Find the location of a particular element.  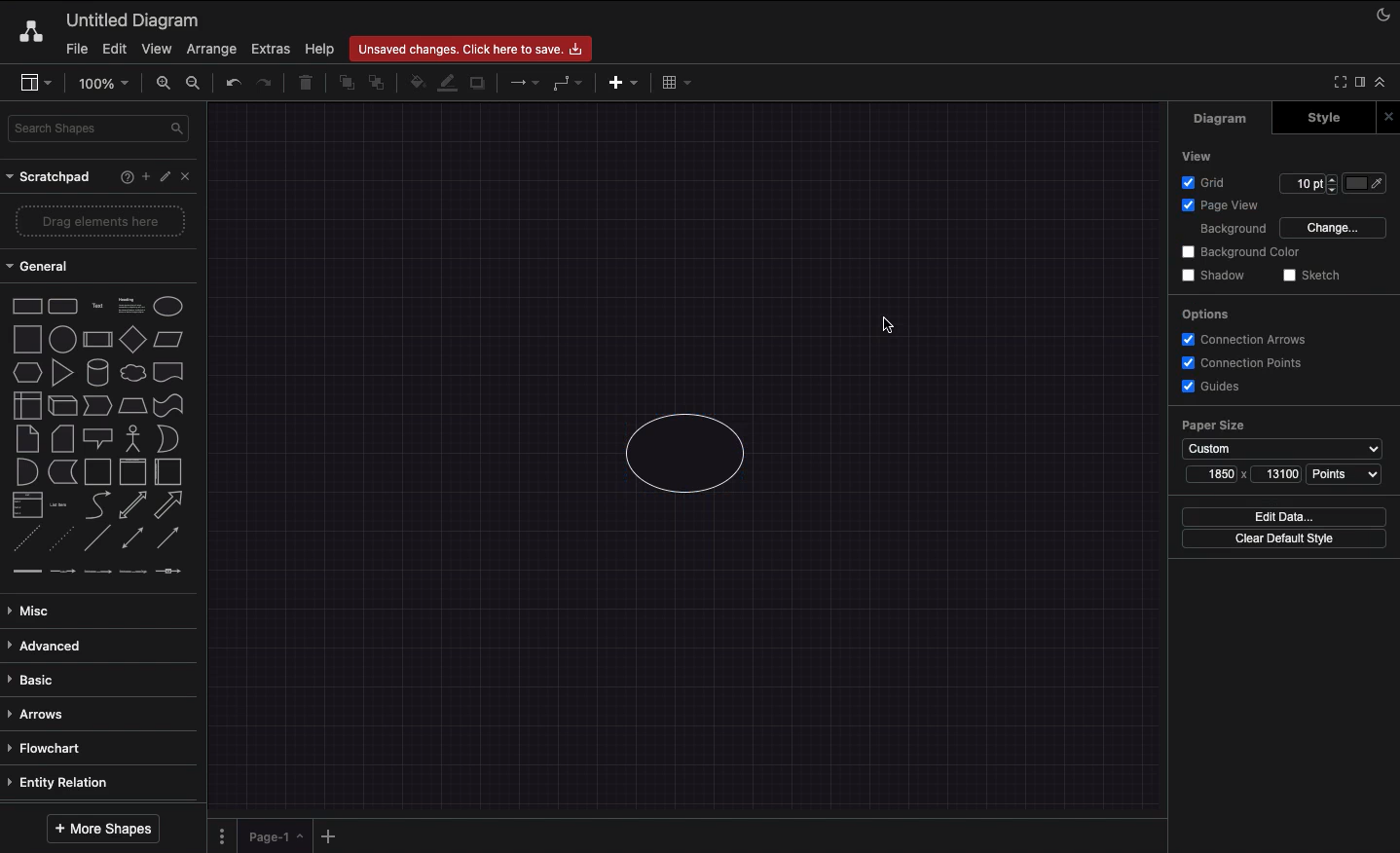

Color is located at coordinates (1367, 183).